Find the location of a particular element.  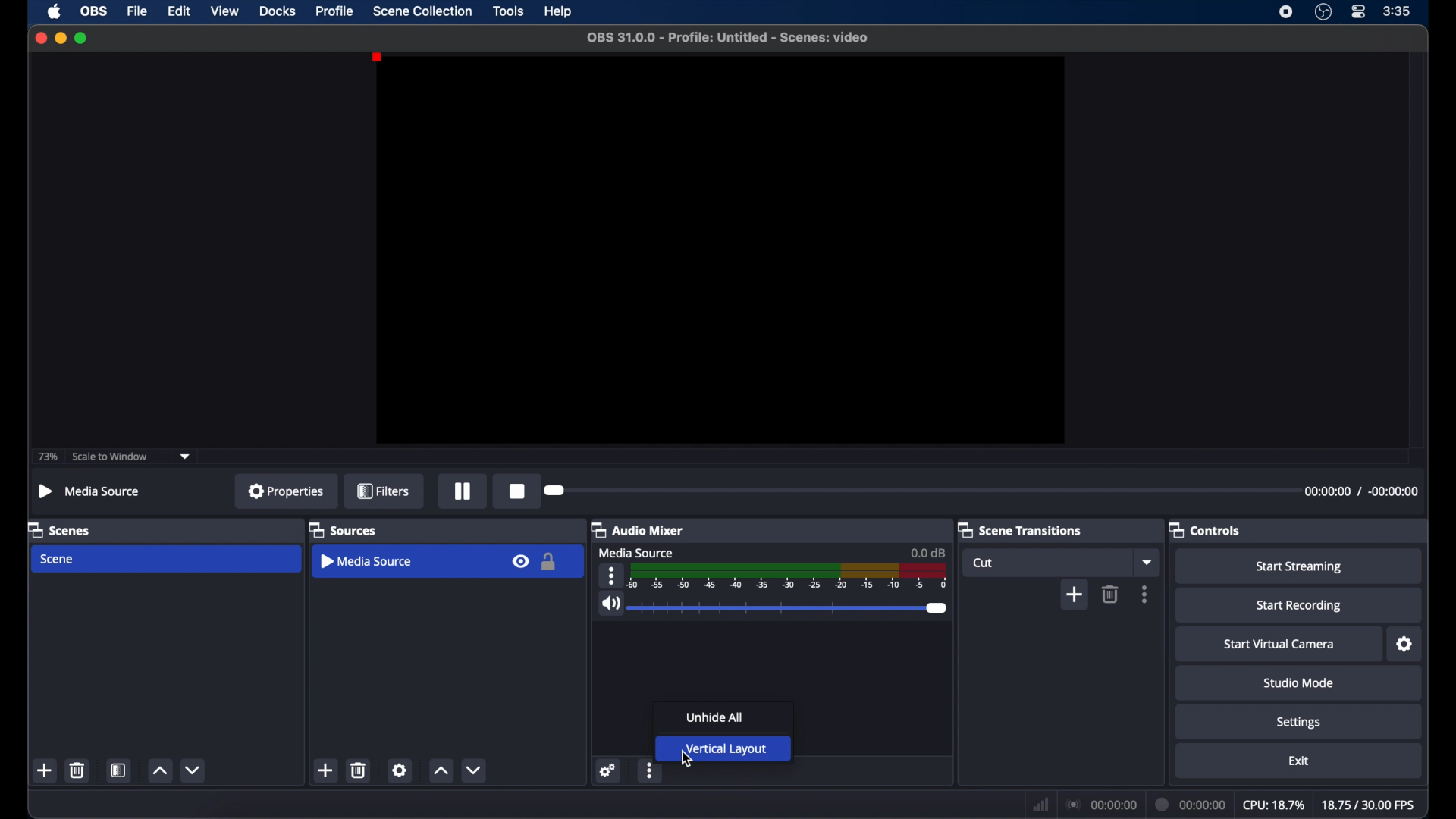

no source selected is located at coordinates (90, 492).